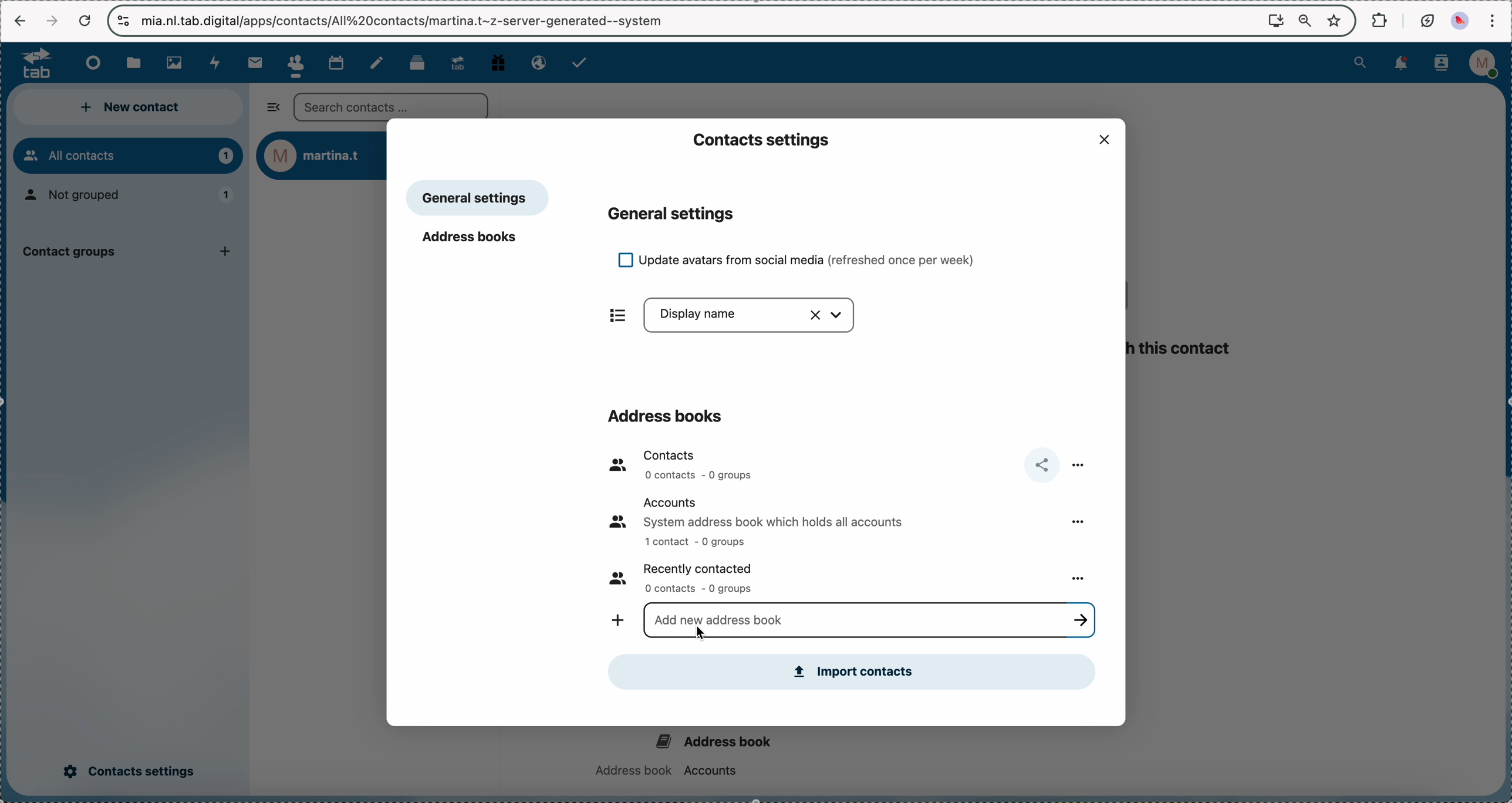 The height and width of the screenshot is (803, 1512). I want to click on general settings, so click(673, 213).